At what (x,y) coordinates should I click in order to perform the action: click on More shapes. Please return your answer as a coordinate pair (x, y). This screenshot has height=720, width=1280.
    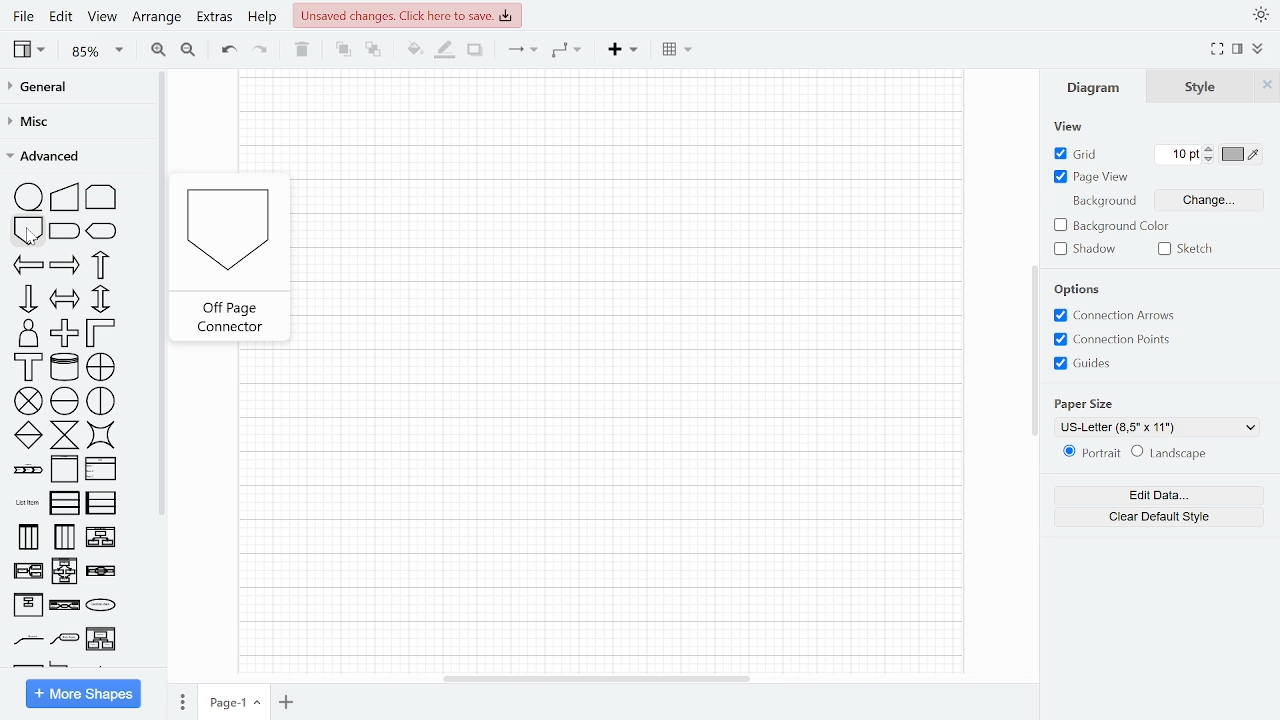
    Looking at the image, I should click on (82, 693).